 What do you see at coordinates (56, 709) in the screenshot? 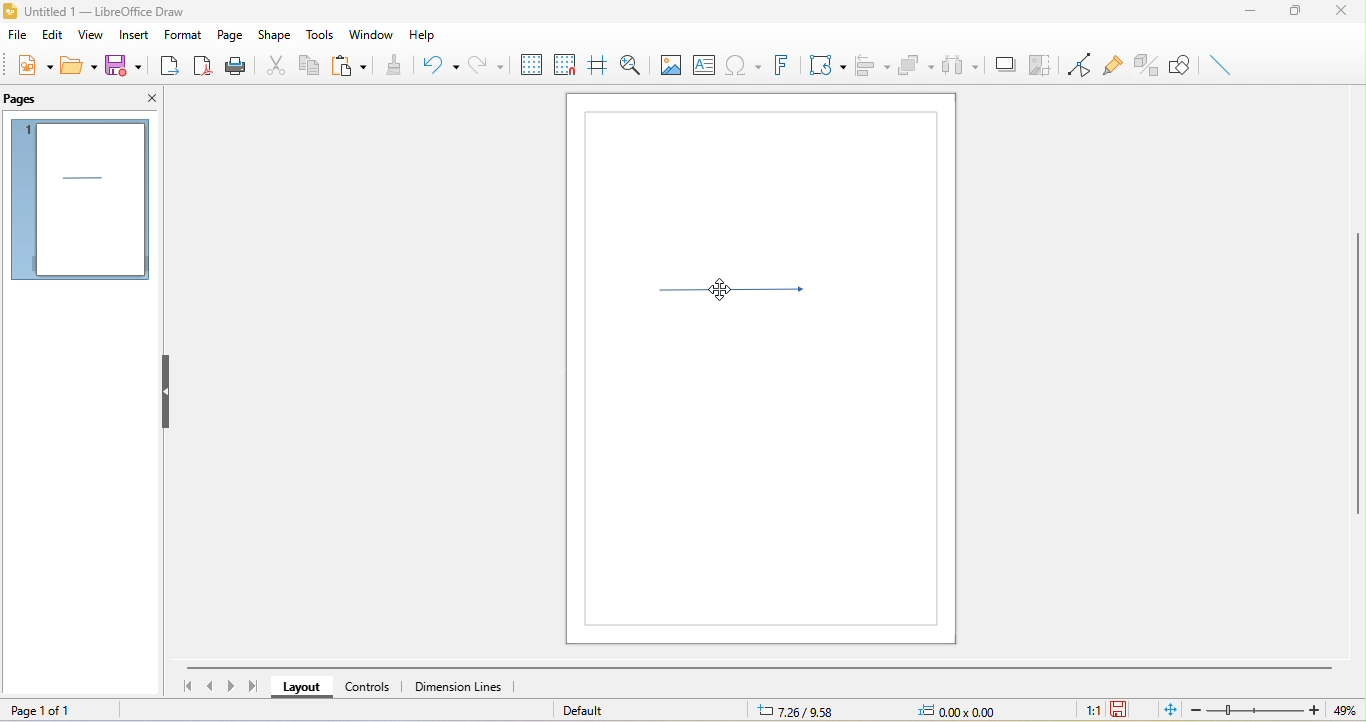
I see `page 1 of 1` at bounding box center [56, 709].